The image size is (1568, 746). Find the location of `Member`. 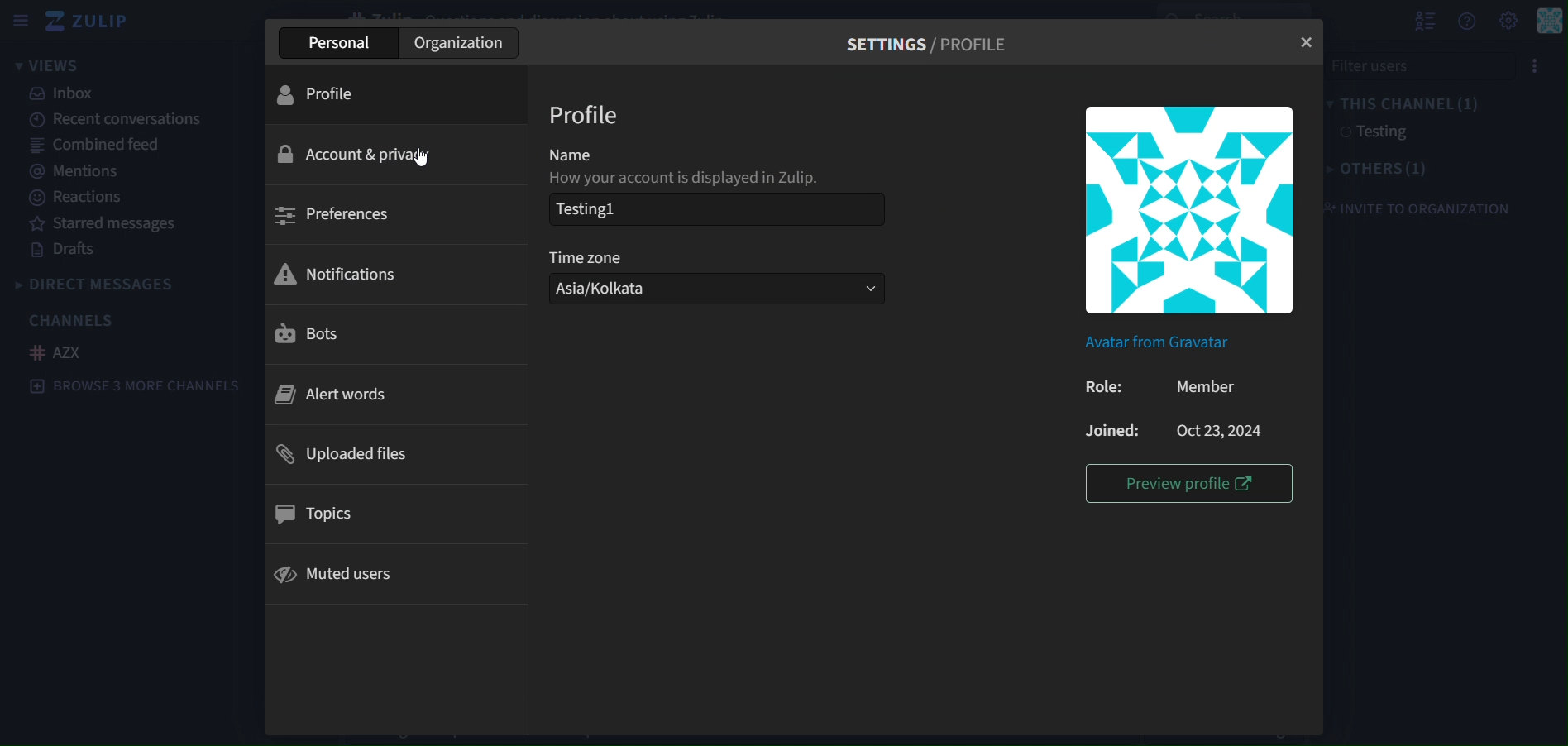

Member is located at coordinates (1163, 385).